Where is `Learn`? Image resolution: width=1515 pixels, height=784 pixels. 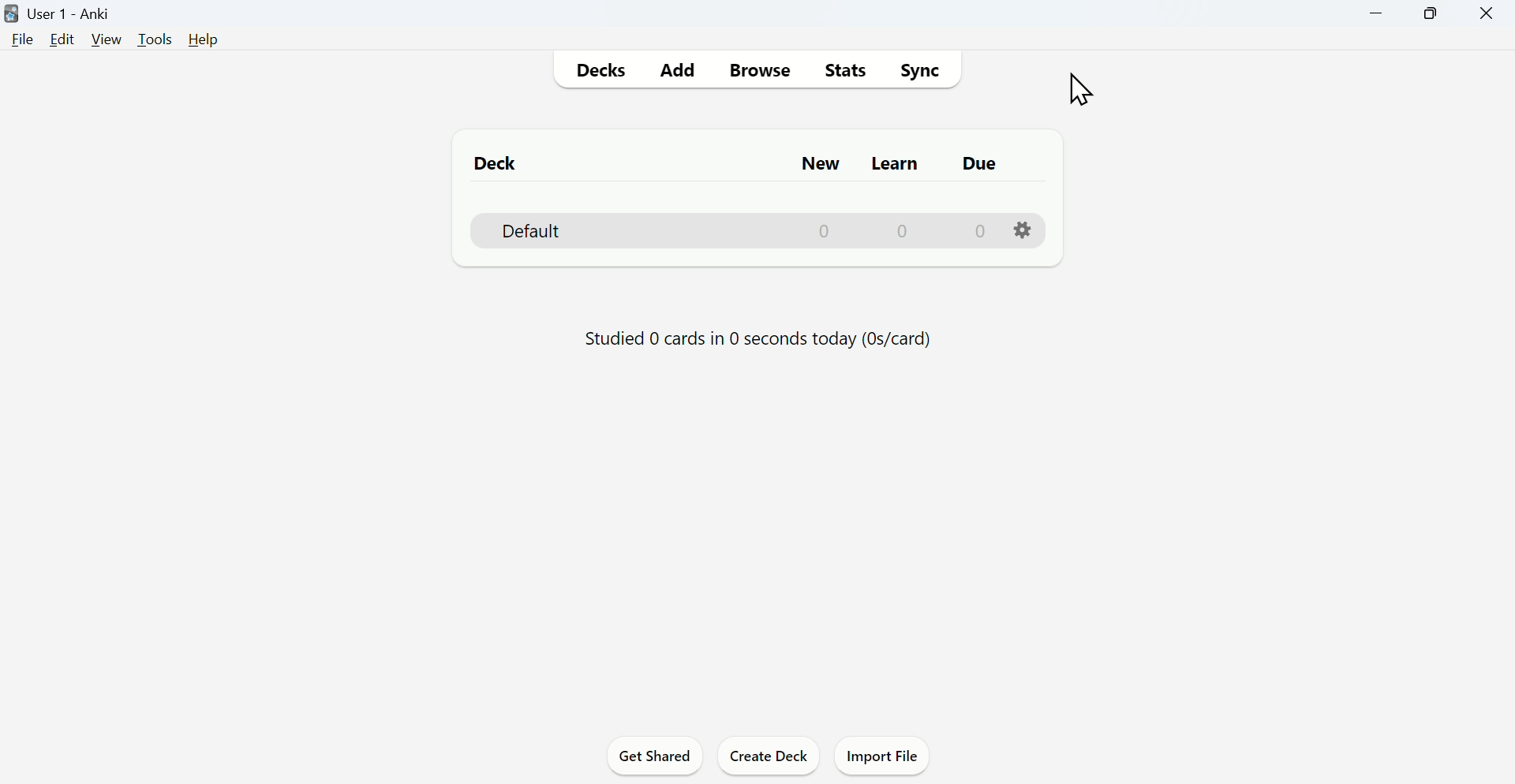
Learn is located at coordinates (897, 163).